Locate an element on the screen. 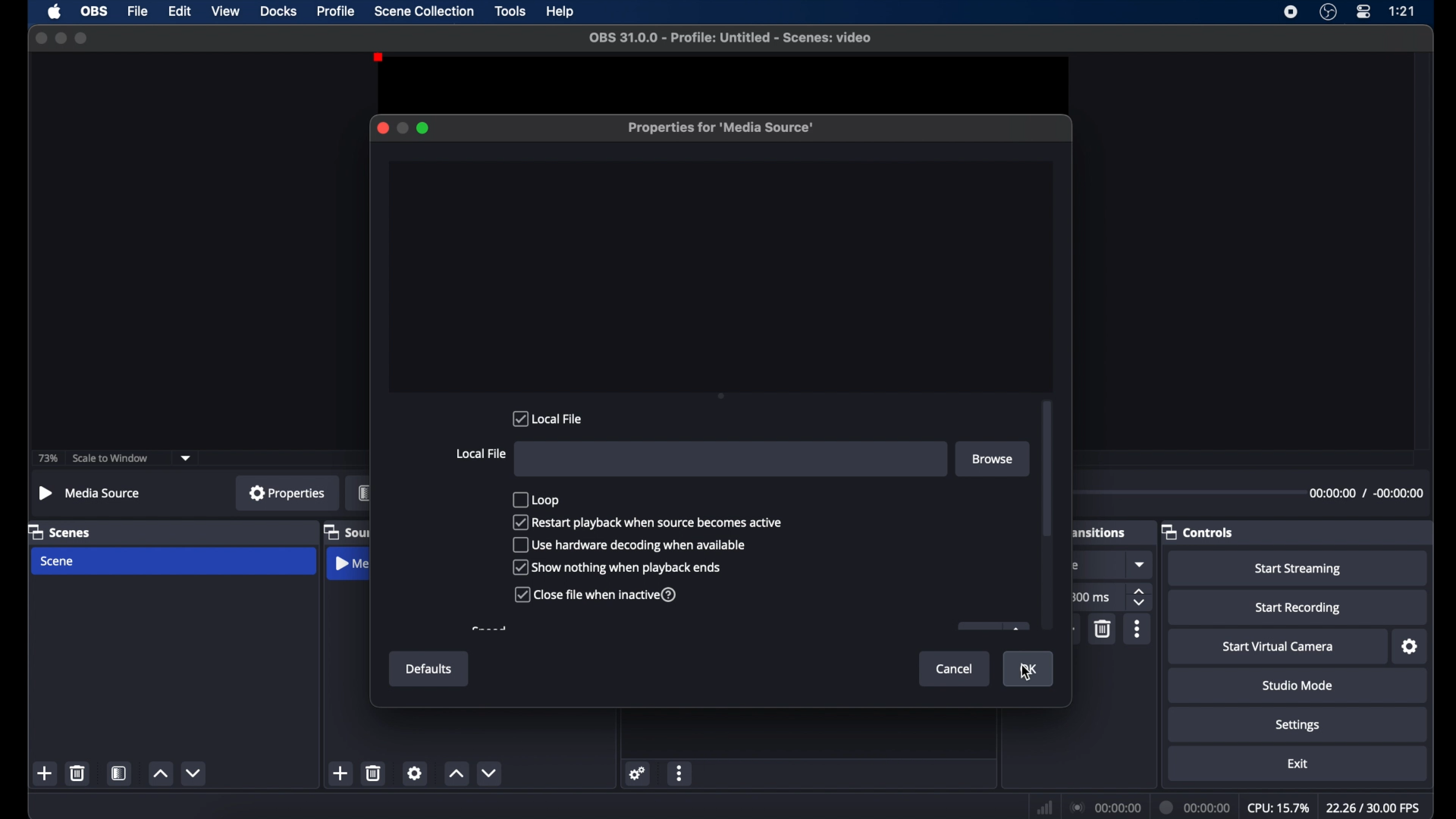 The width and height of the screenshot is (1456, 819). browse is located at coordinates (989, 460).